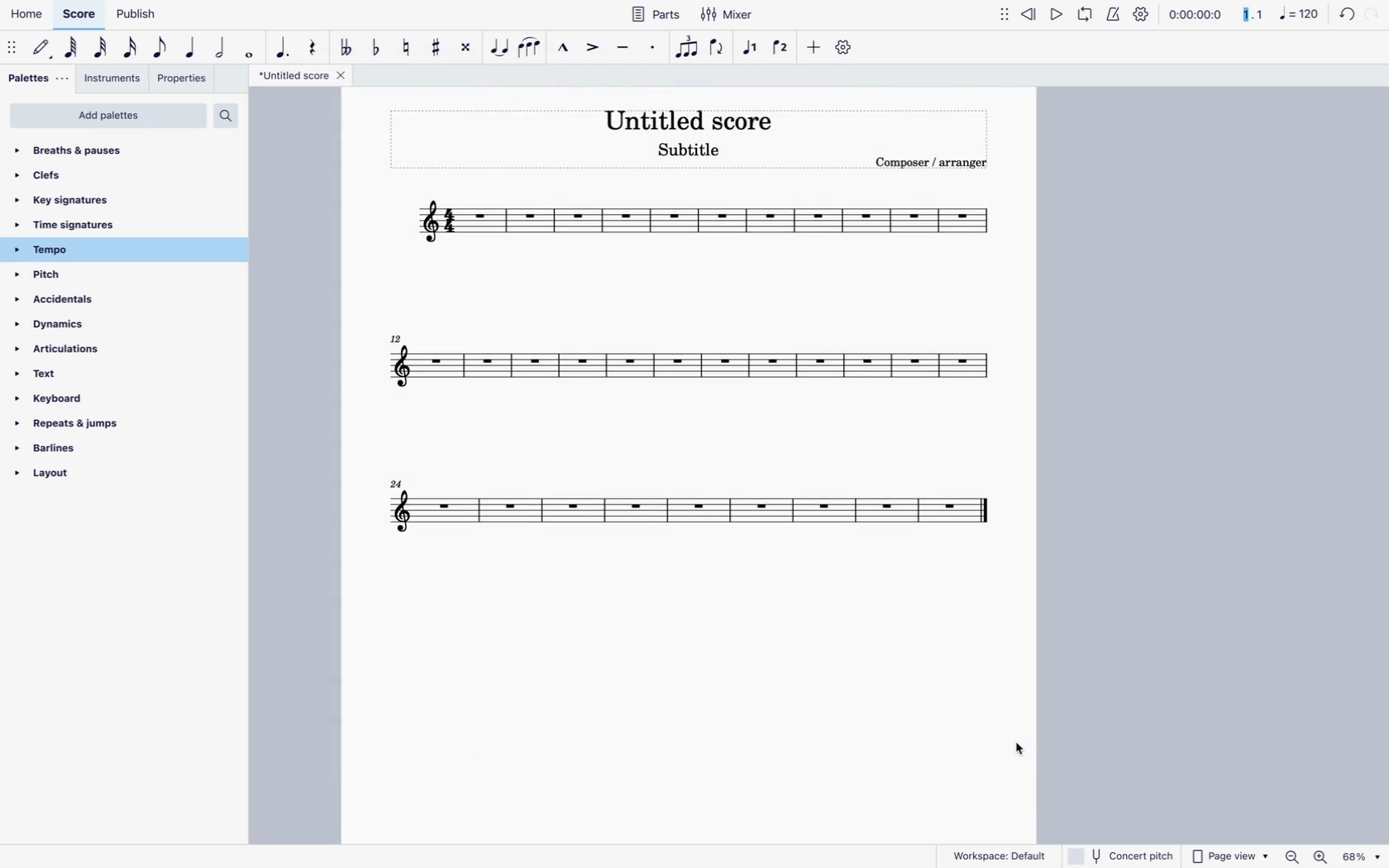 The height and width of the screenshot is (868, 1389). Describe the element at coordinates (626, 48) in the screenshot. I see `tenuto` at that location.